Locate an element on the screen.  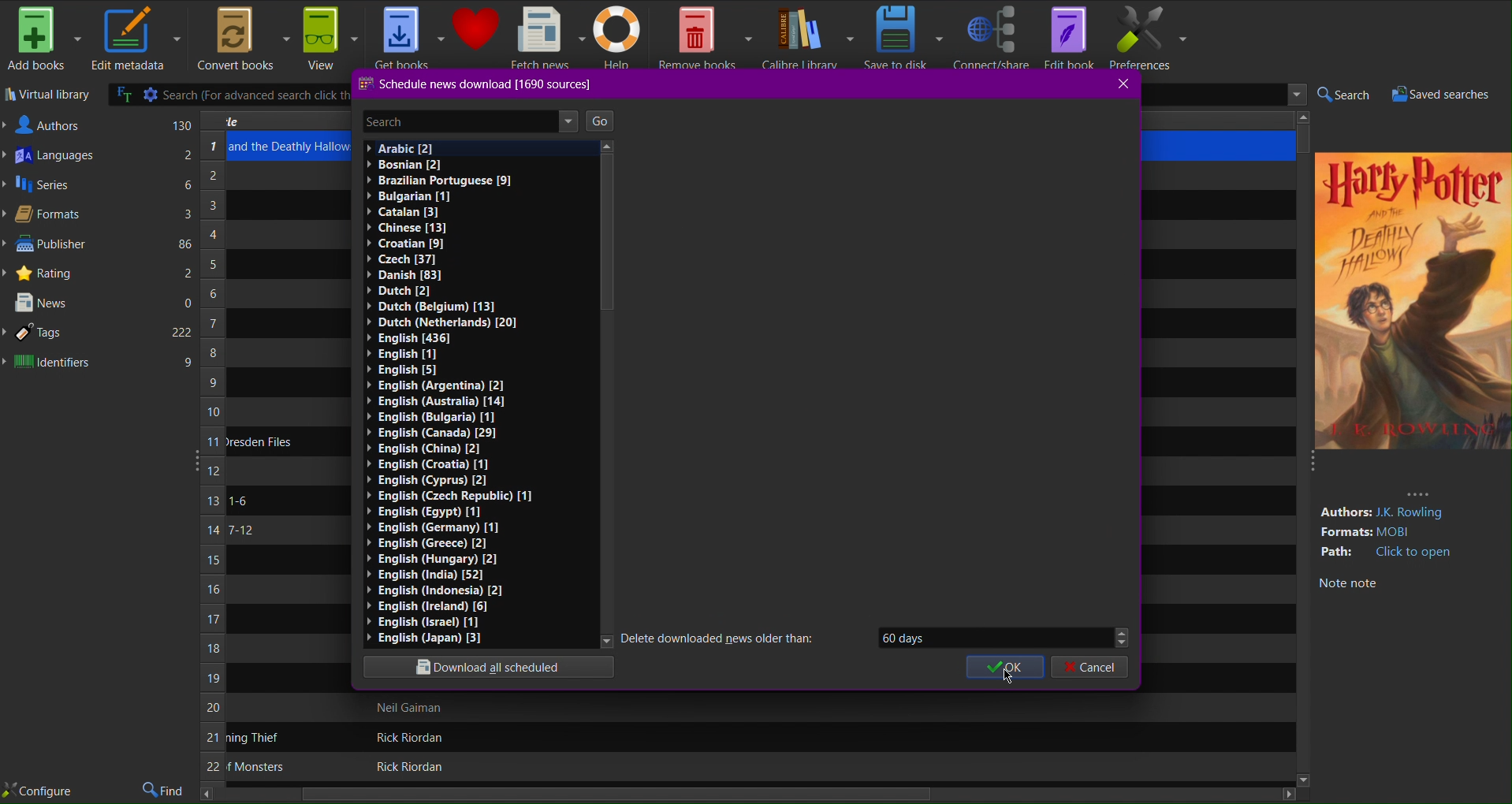
down is located at coordinates (601, 642).